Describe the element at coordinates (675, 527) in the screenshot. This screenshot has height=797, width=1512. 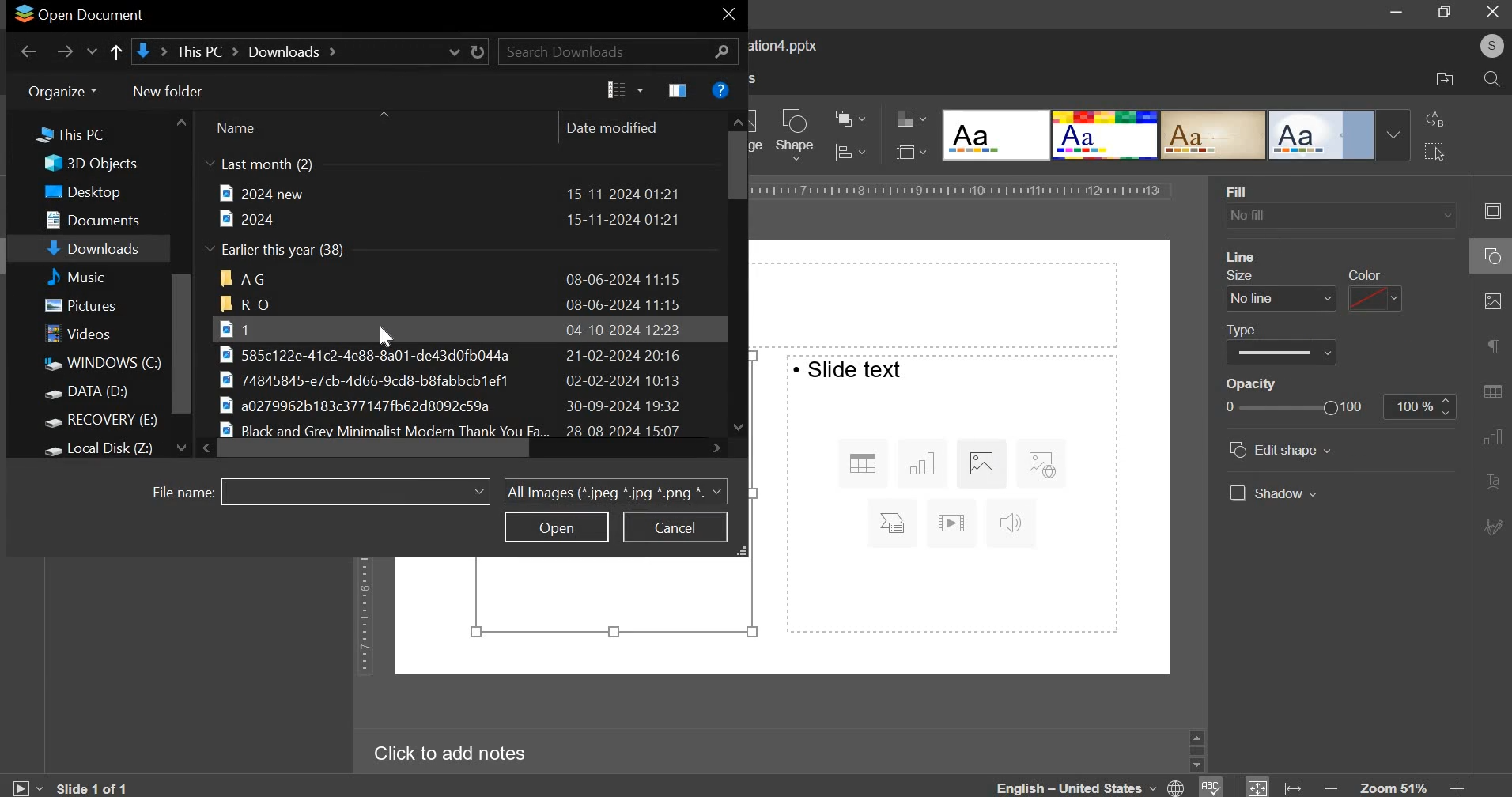
I see `cancel` at that location.